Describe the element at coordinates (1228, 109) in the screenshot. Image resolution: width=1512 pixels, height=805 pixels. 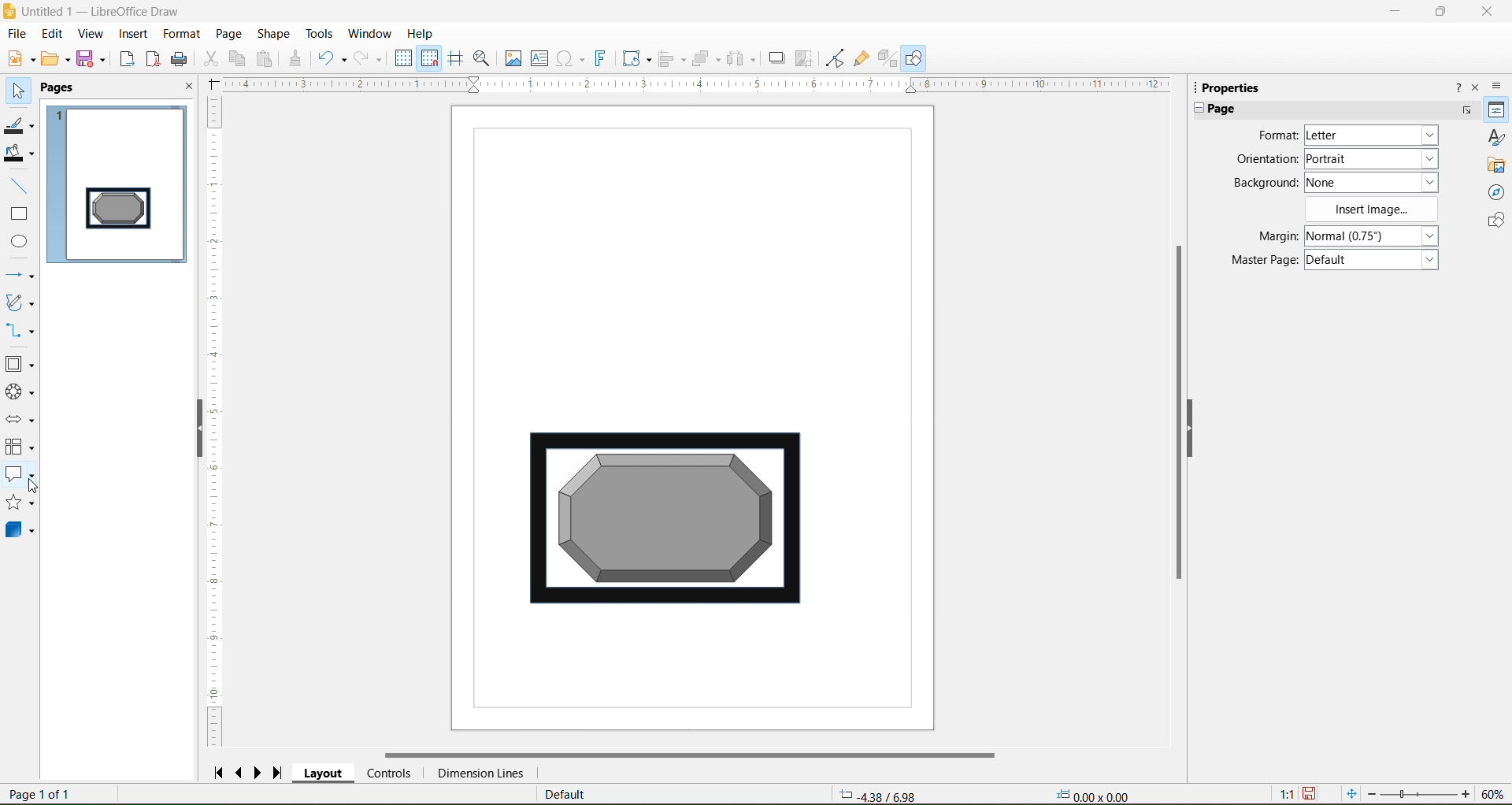
I see `Page` at that location.